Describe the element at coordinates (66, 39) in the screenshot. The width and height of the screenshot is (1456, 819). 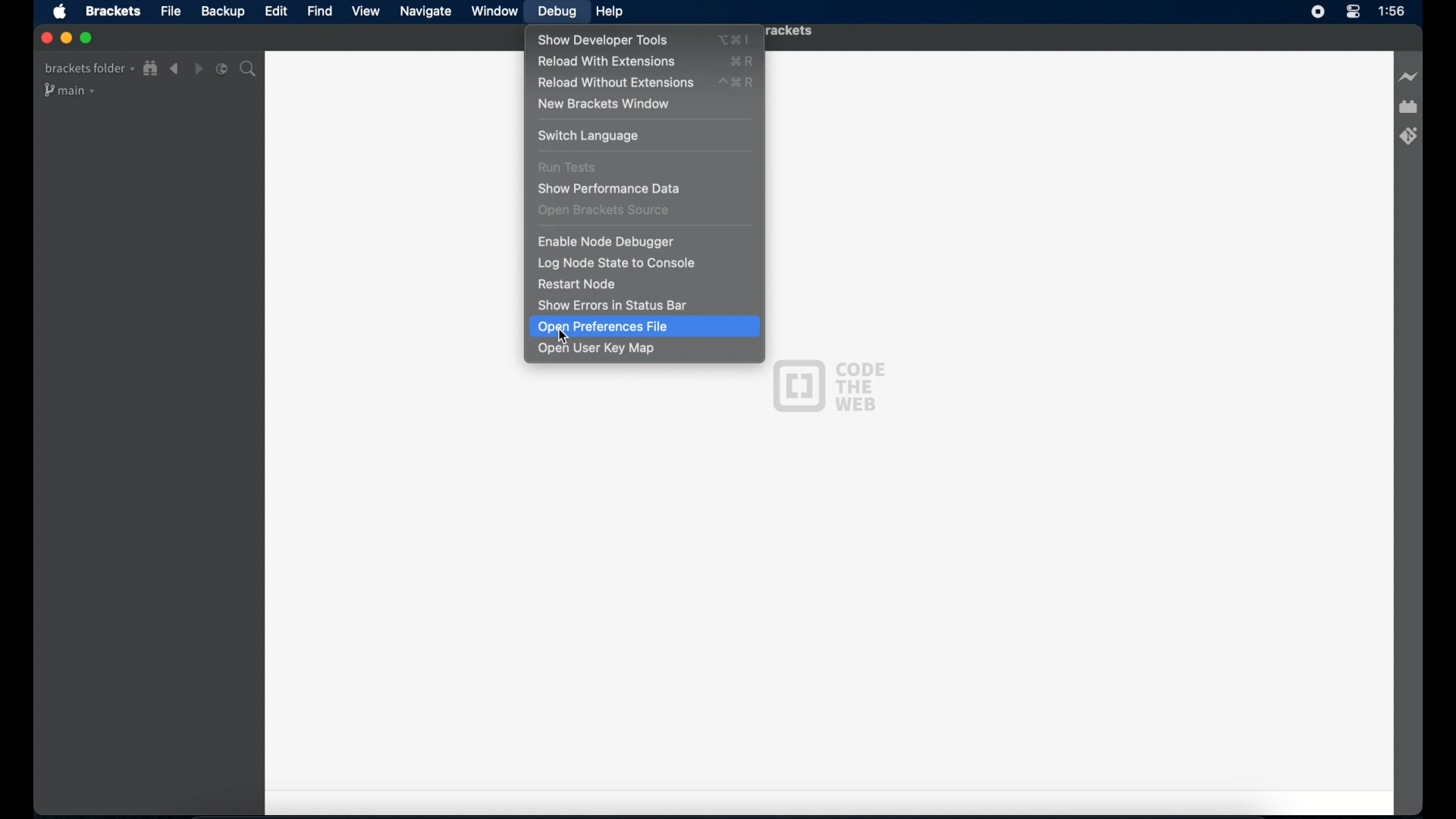
I see `minimize` at that location.